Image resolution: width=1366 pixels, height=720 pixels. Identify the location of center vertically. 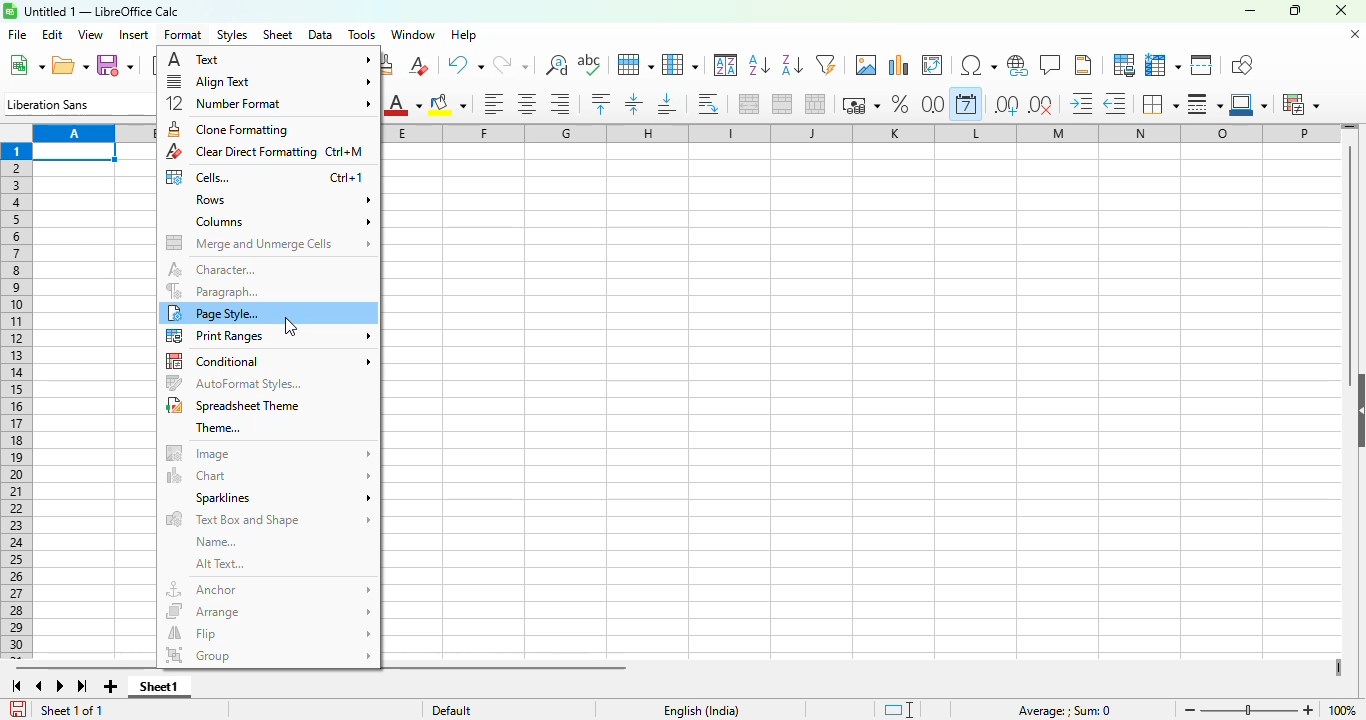
(633, 104).